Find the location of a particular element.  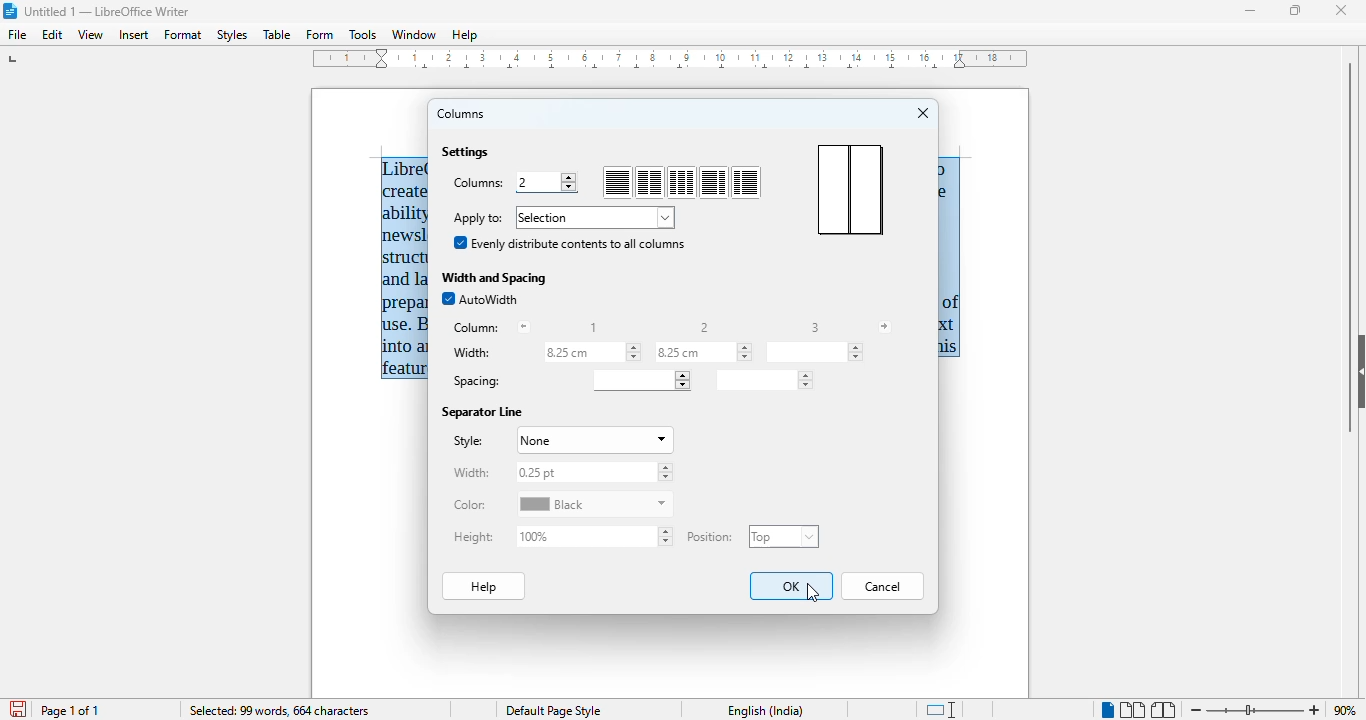

page 1 of 1 is located at coordinates (70, 711).